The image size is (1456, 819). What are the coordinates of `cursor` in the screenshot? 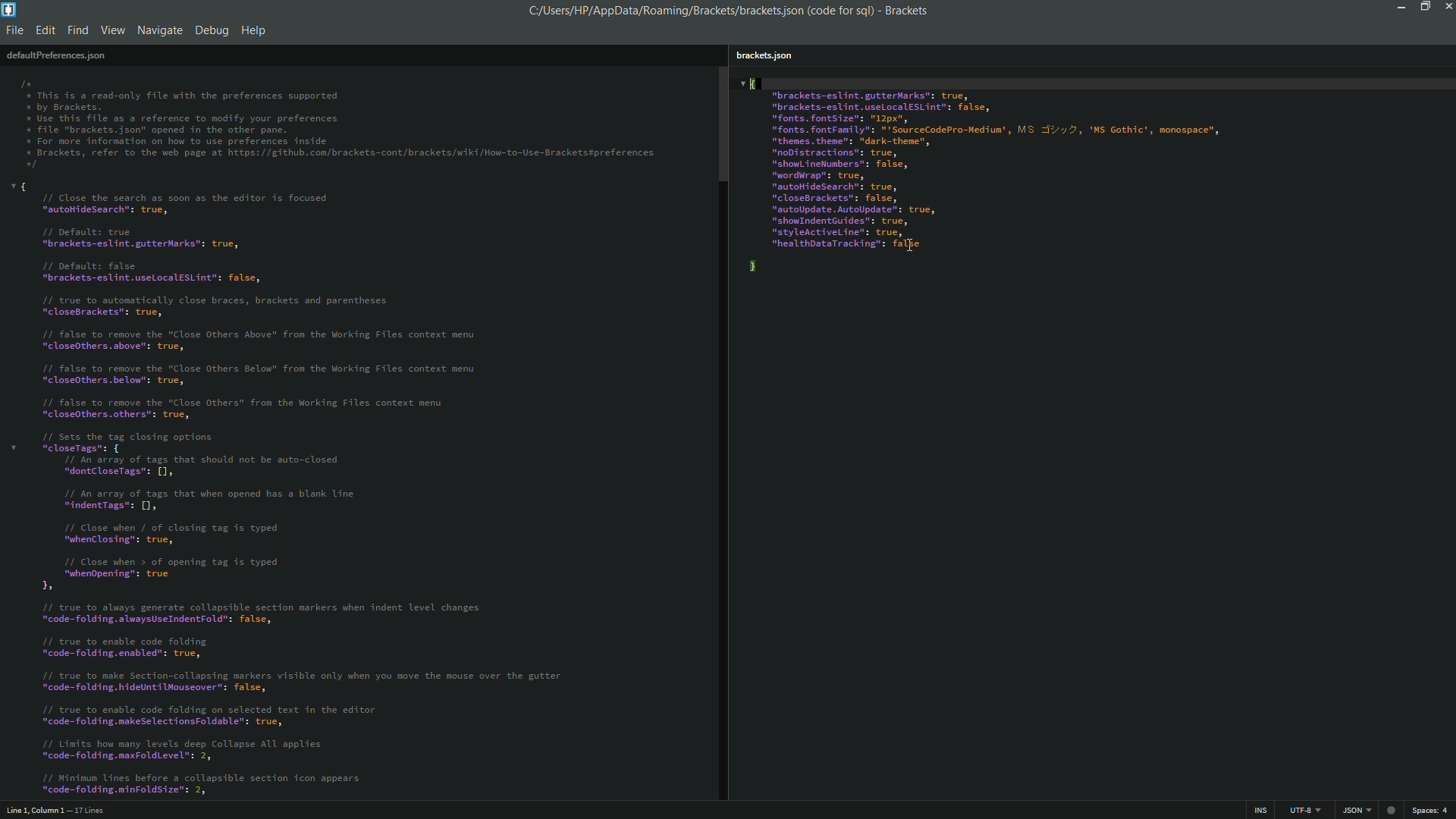 It's located at (911, 243).